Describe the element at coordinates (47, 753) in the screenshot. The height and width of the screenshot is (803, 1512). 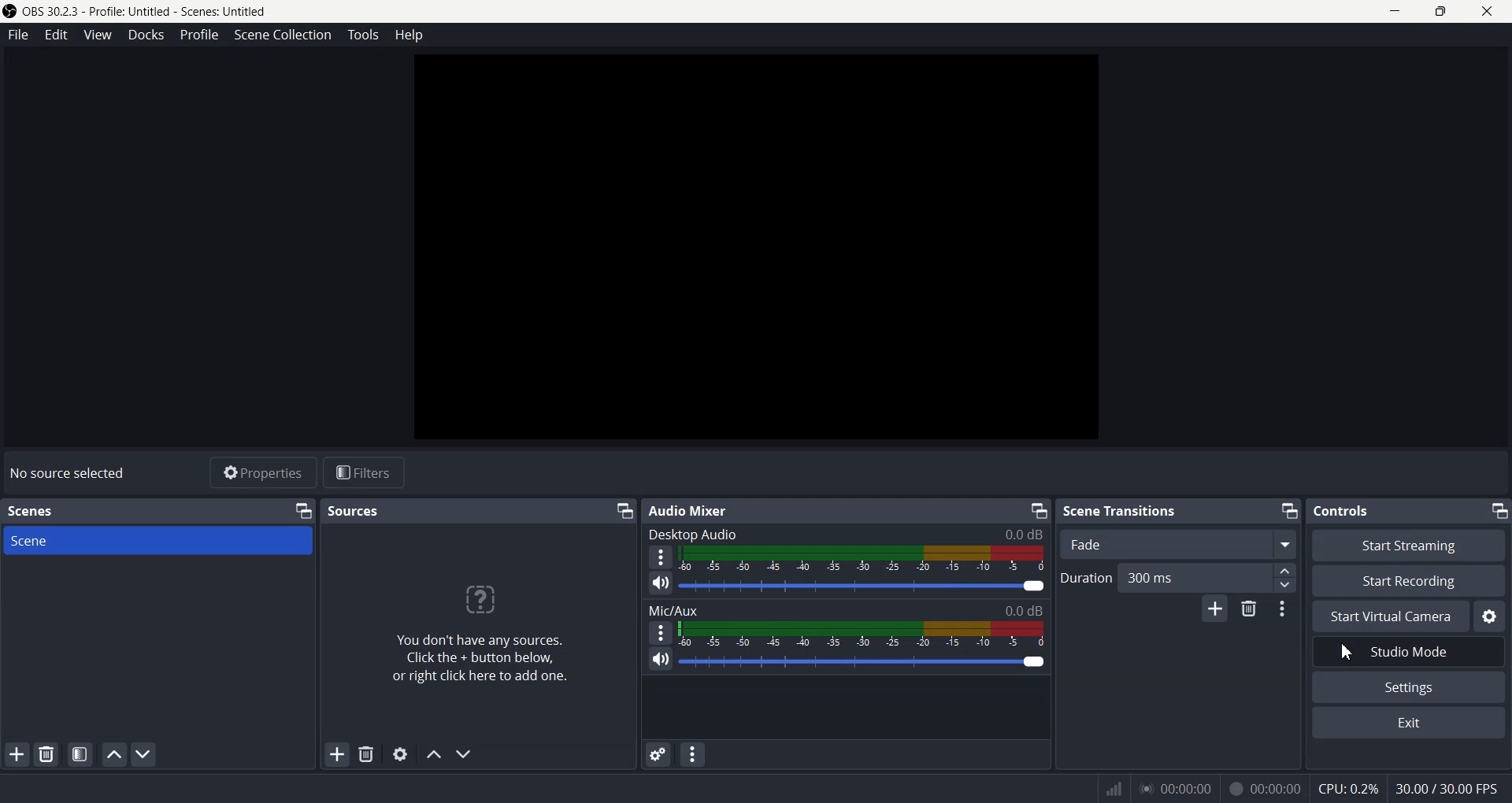
I see `Remove selected batch` at that location.